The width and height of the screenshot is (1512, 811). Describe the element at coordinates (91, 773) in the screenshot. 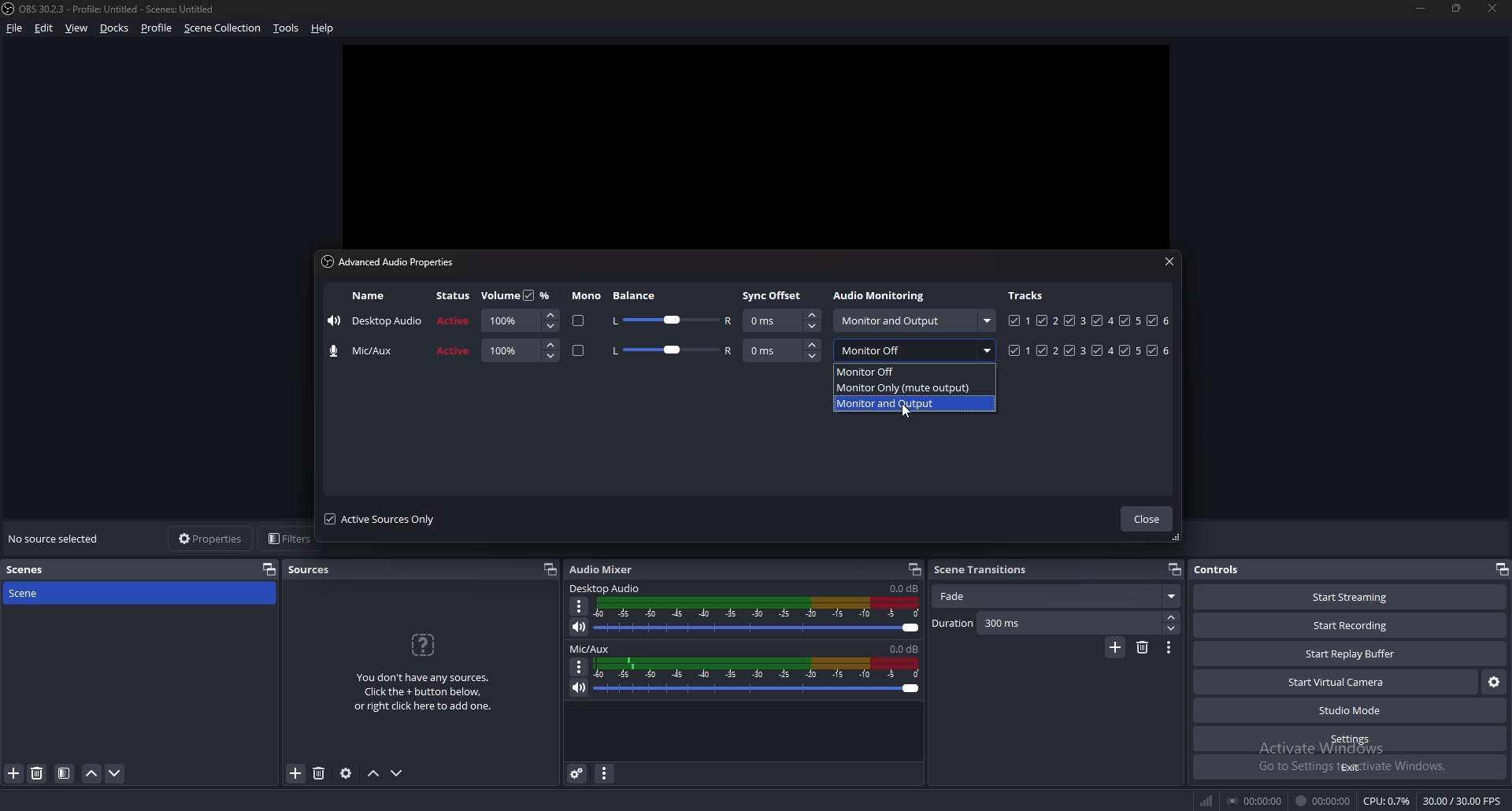

I see `move scene up` at that location.